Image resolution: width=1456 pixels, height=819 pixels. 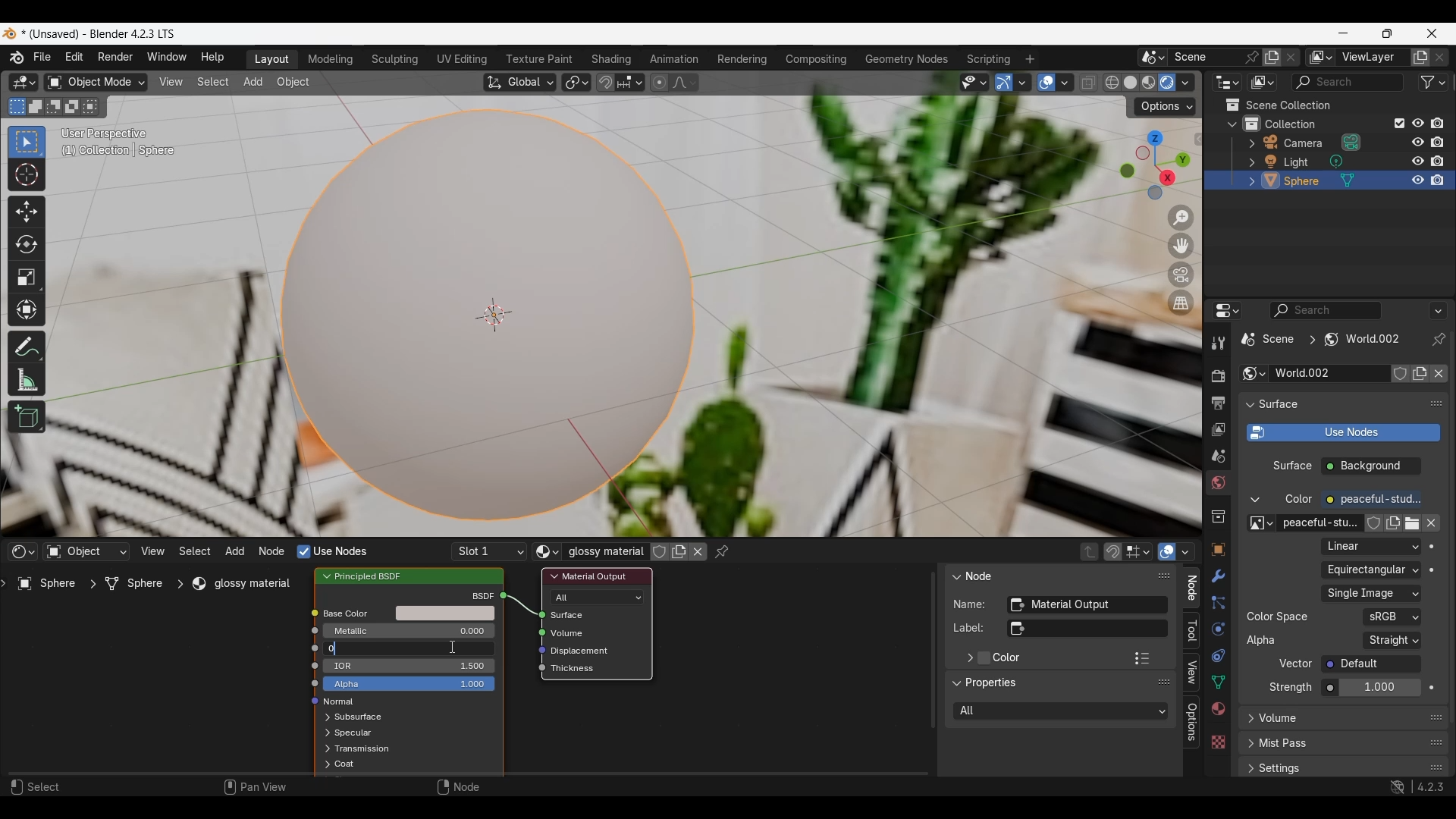 I want to click on Viewport shading: wireframe, so click(x=1112, y=83).